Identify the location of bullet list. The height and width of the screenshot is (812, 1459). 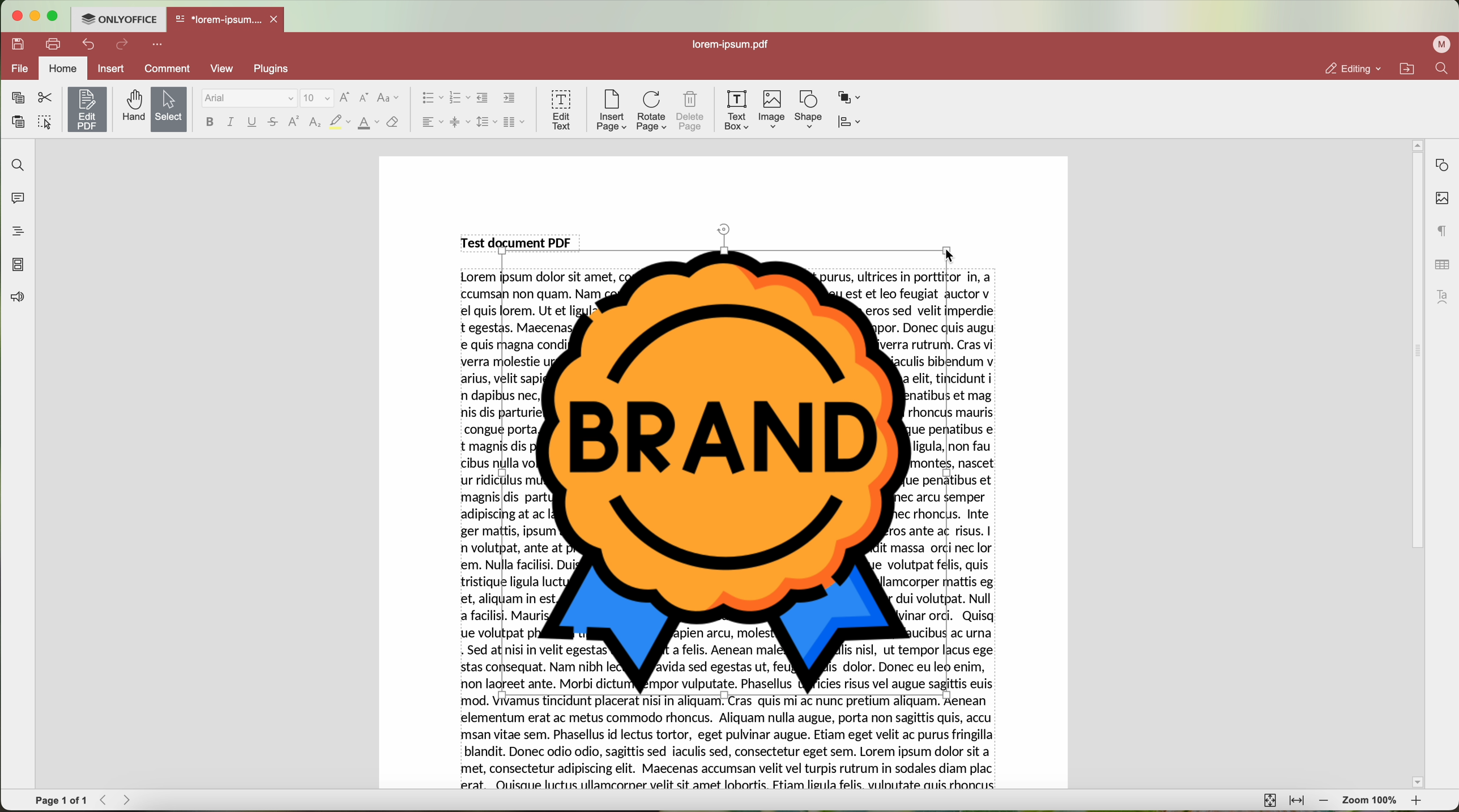
(429, 99).